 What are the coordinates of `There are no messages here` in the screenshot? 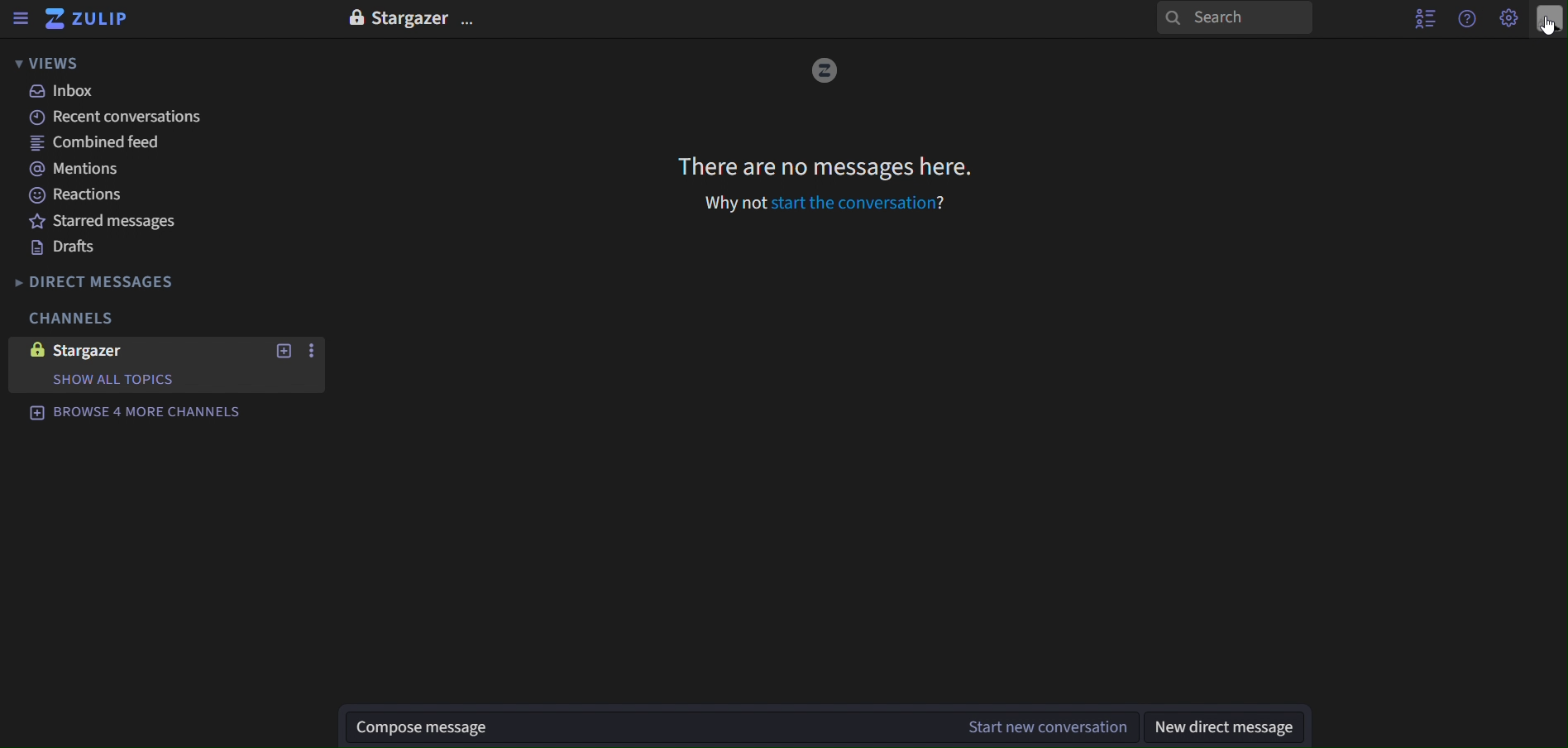 It's located at (820, 165).